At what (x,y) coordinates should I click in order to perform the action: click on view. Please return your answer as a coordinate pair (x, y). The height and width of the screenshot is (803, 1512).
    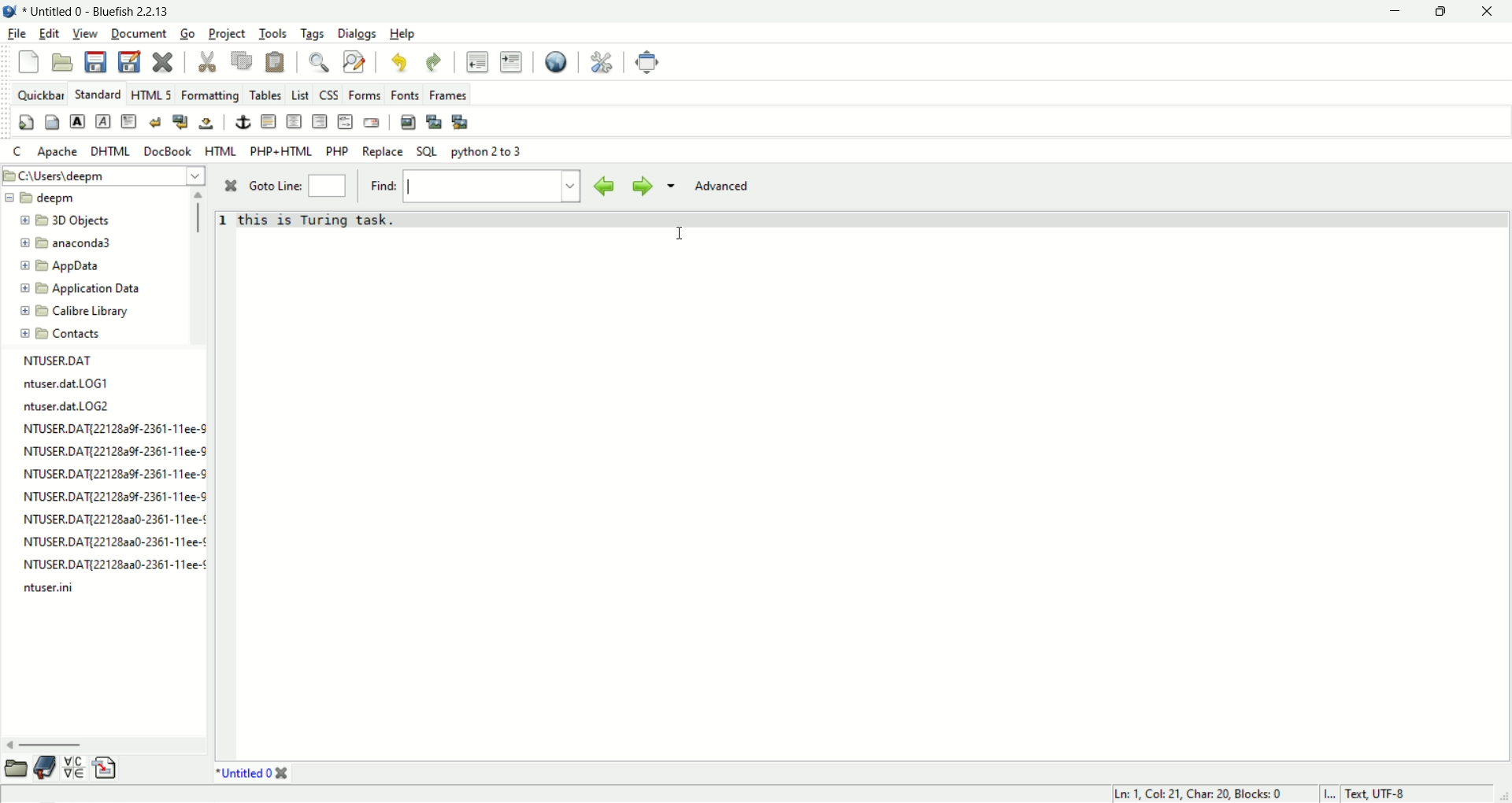
    Looking at the image, I should click on (84, 34).